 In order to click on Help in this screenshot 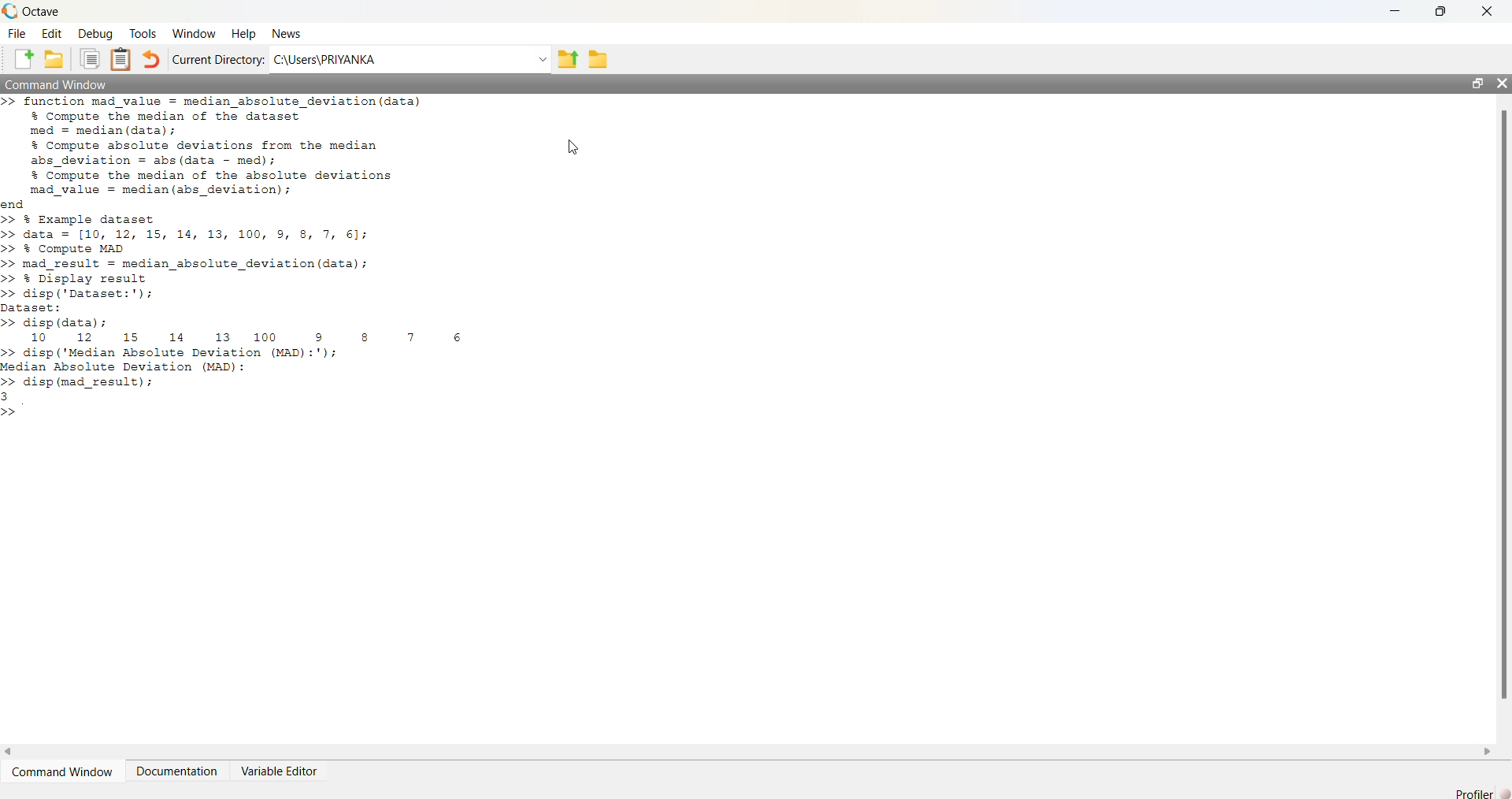, I will do `click(243, 33)`.